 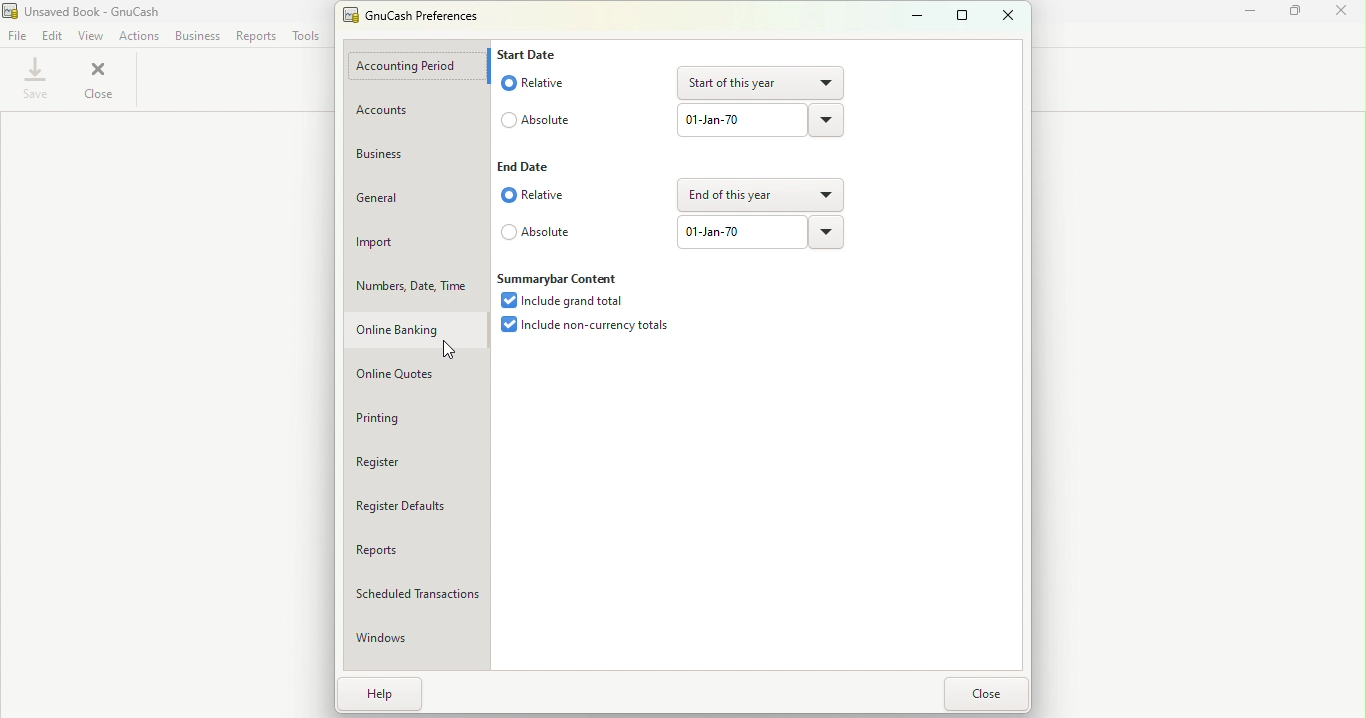 I want to click on end of this year, so click(x=764, y=196).